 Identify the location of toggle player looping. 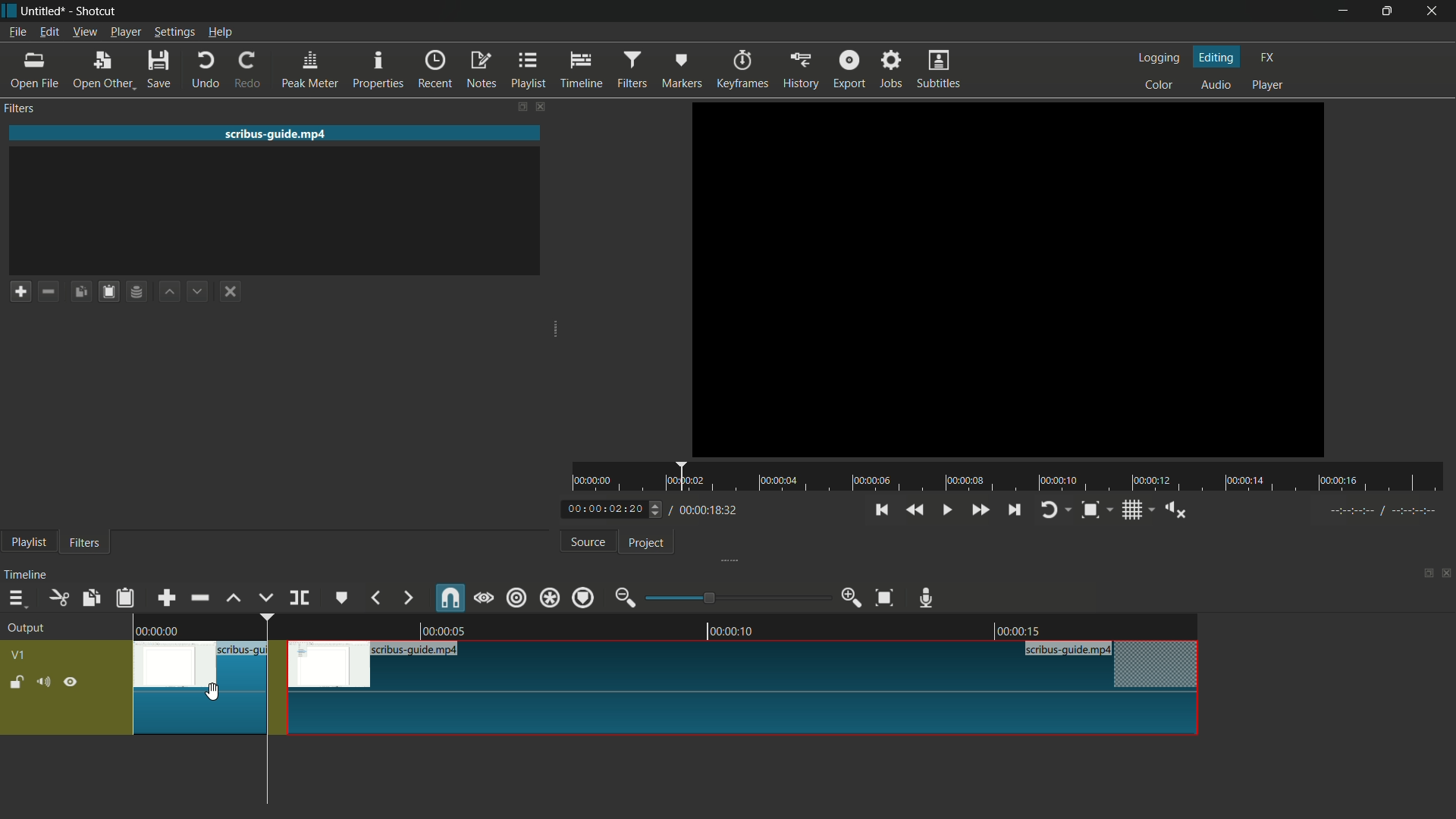
(1050, 510).